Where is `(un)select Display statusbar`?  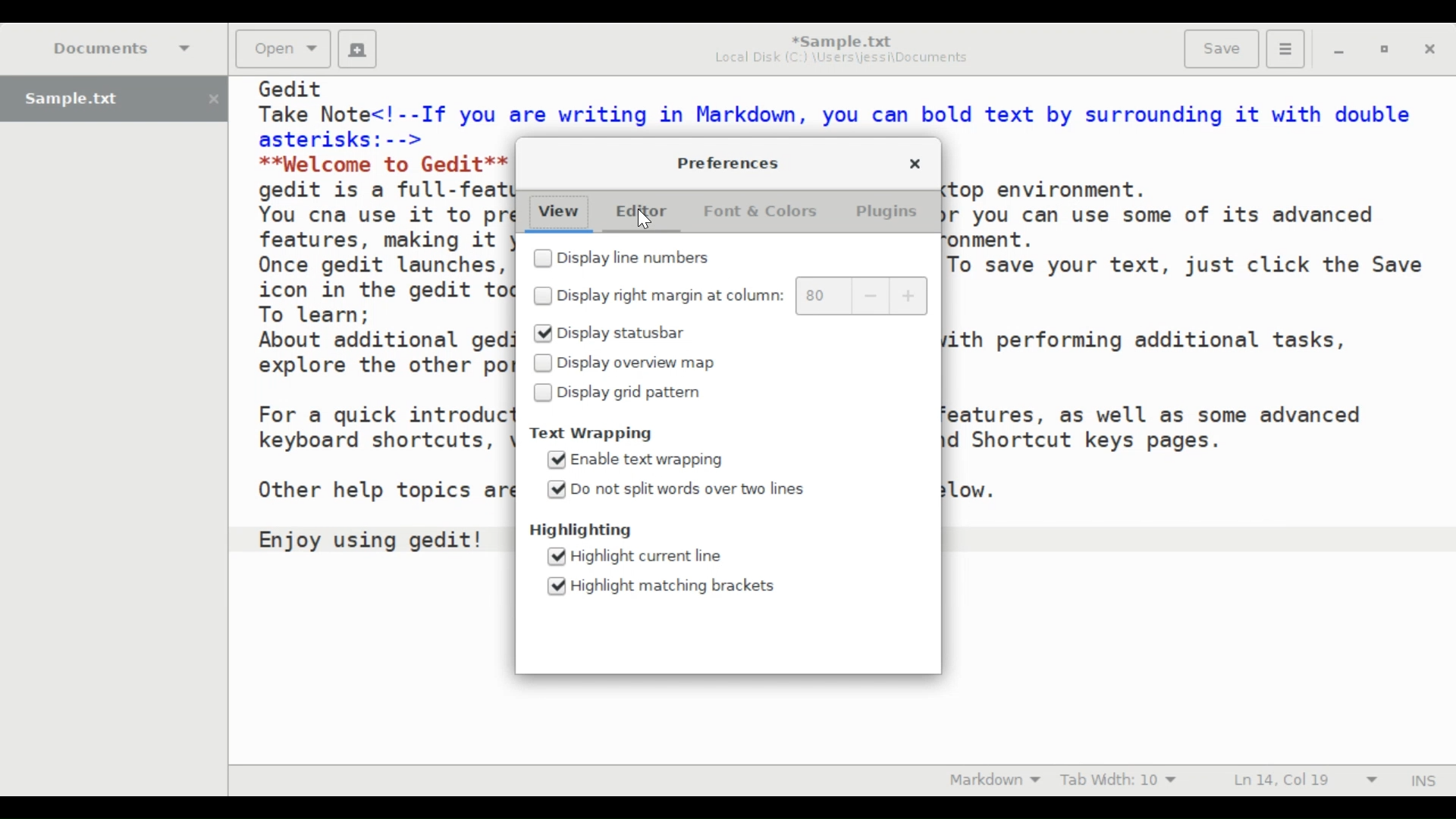
(un)select Display statusbar is located at coordinates (623, 333).